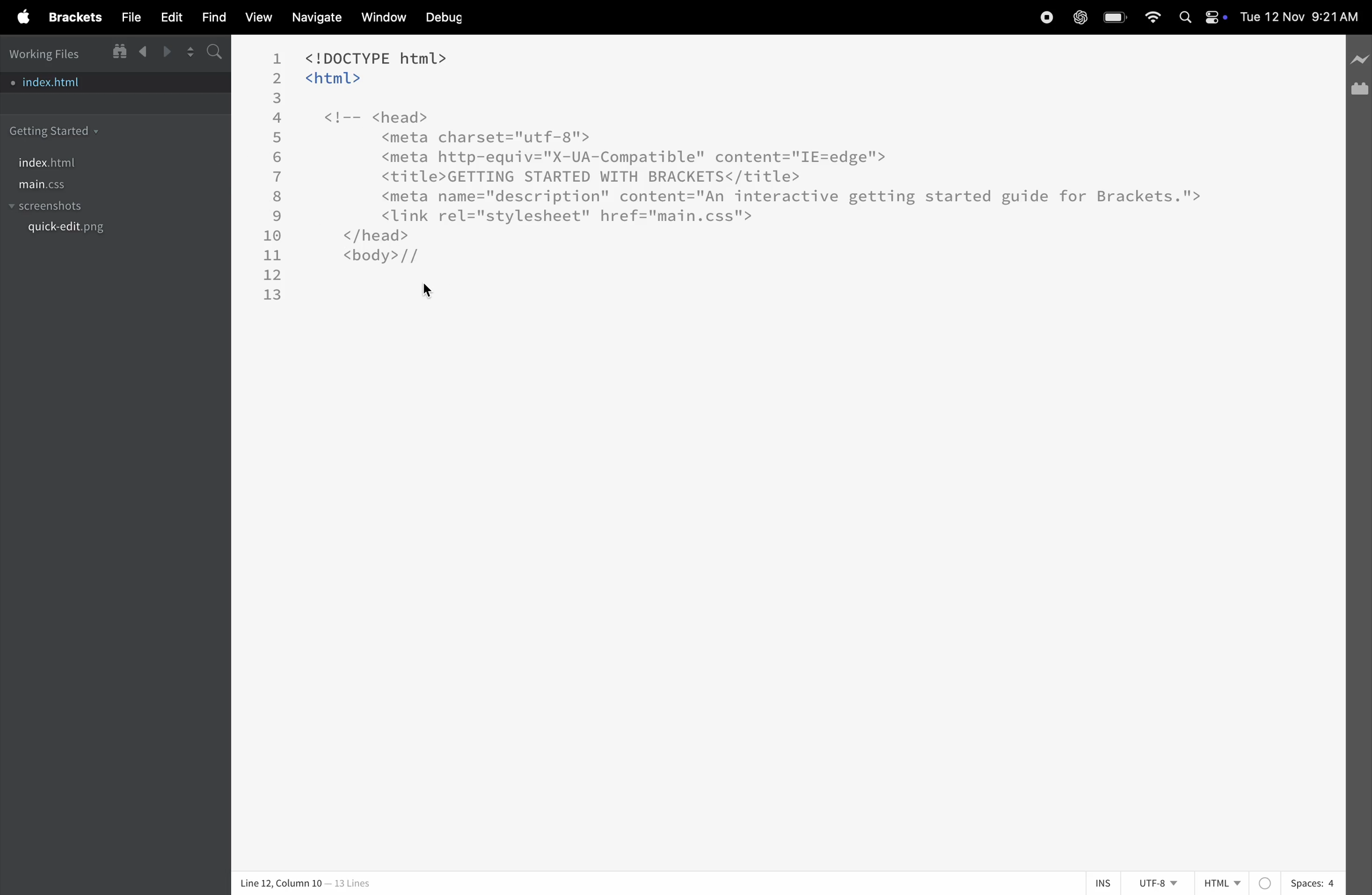 The height and width of the screenshot is (895, 1372). I want to click on forward, so click(165, 52).